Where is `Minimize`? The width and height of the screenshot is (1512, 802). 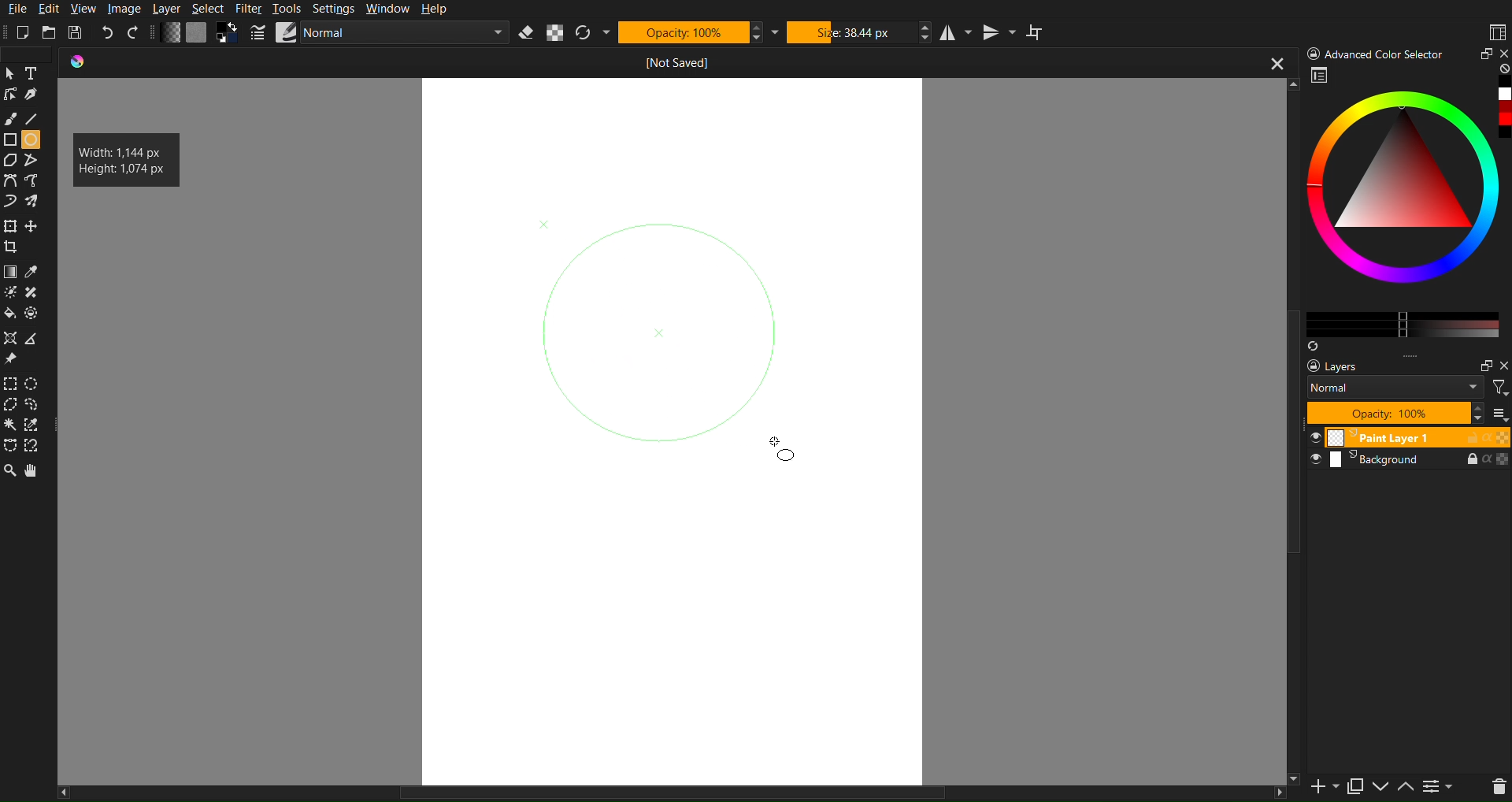
Minimize is located at coordinates (1479, 53).